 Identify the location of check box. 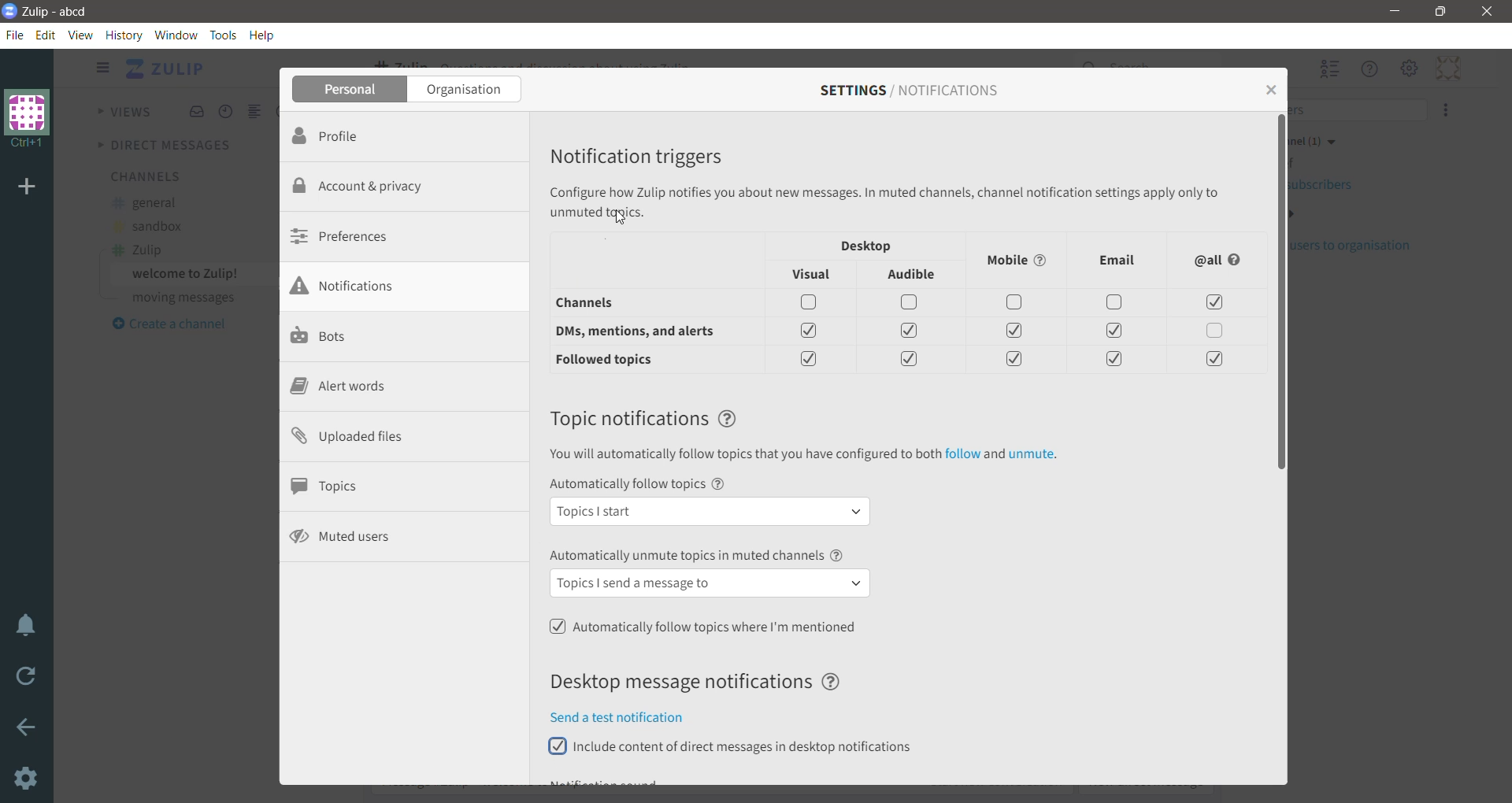
(812, 328).